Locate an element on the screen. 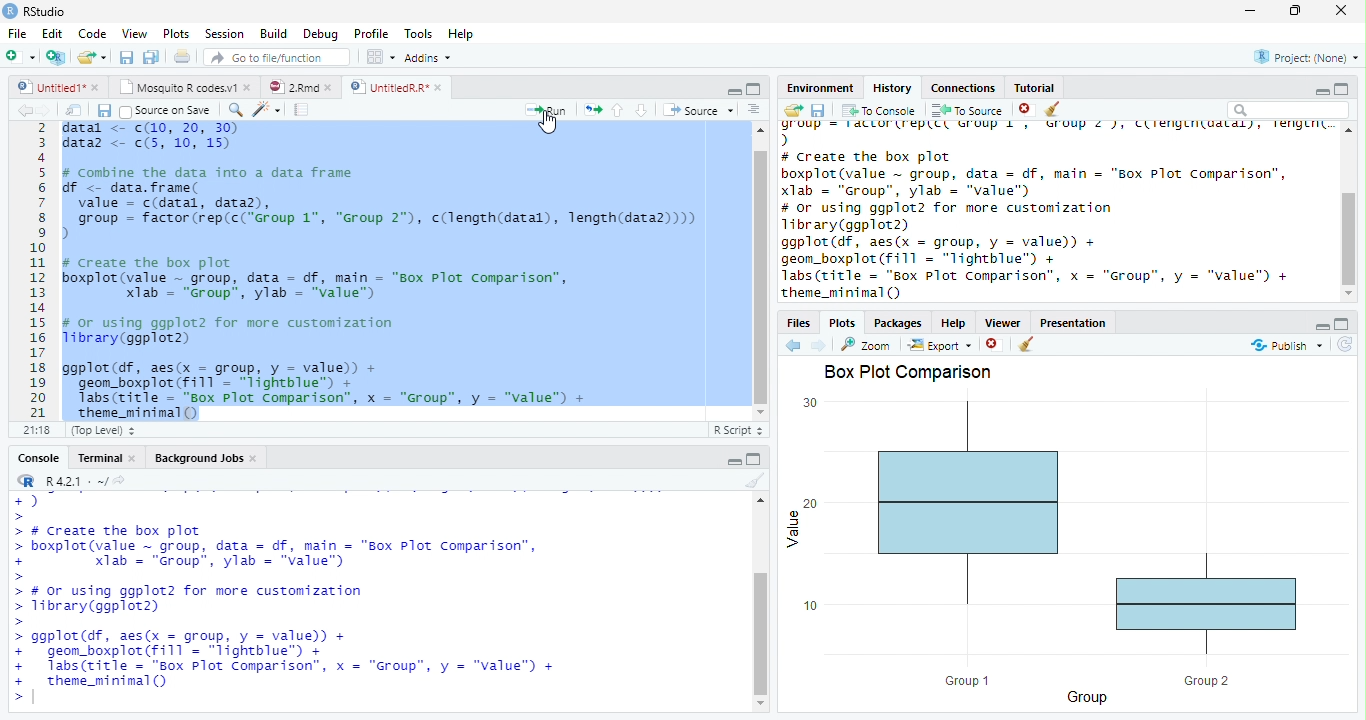 Image resolution: width=1366 pixels, height=720 pixels. Addins is located at coordinates (426, 57).